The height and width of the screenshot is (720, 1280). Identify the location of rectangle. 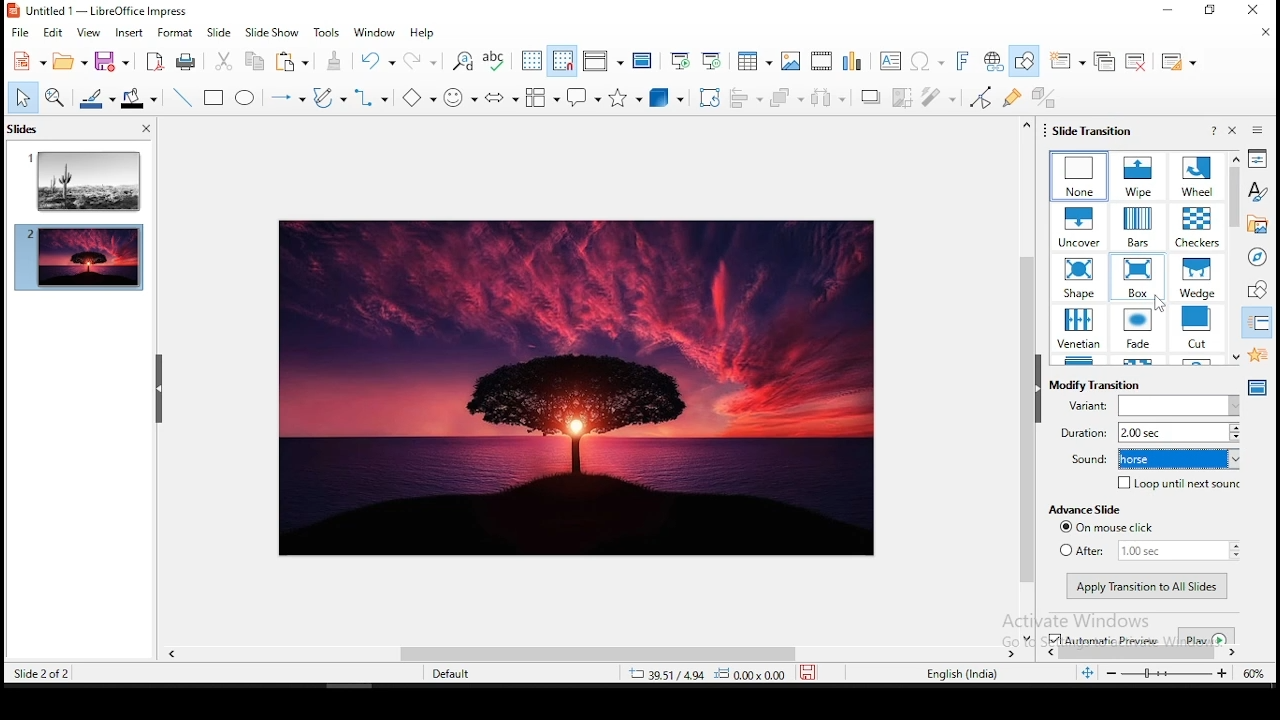
(216, 98).